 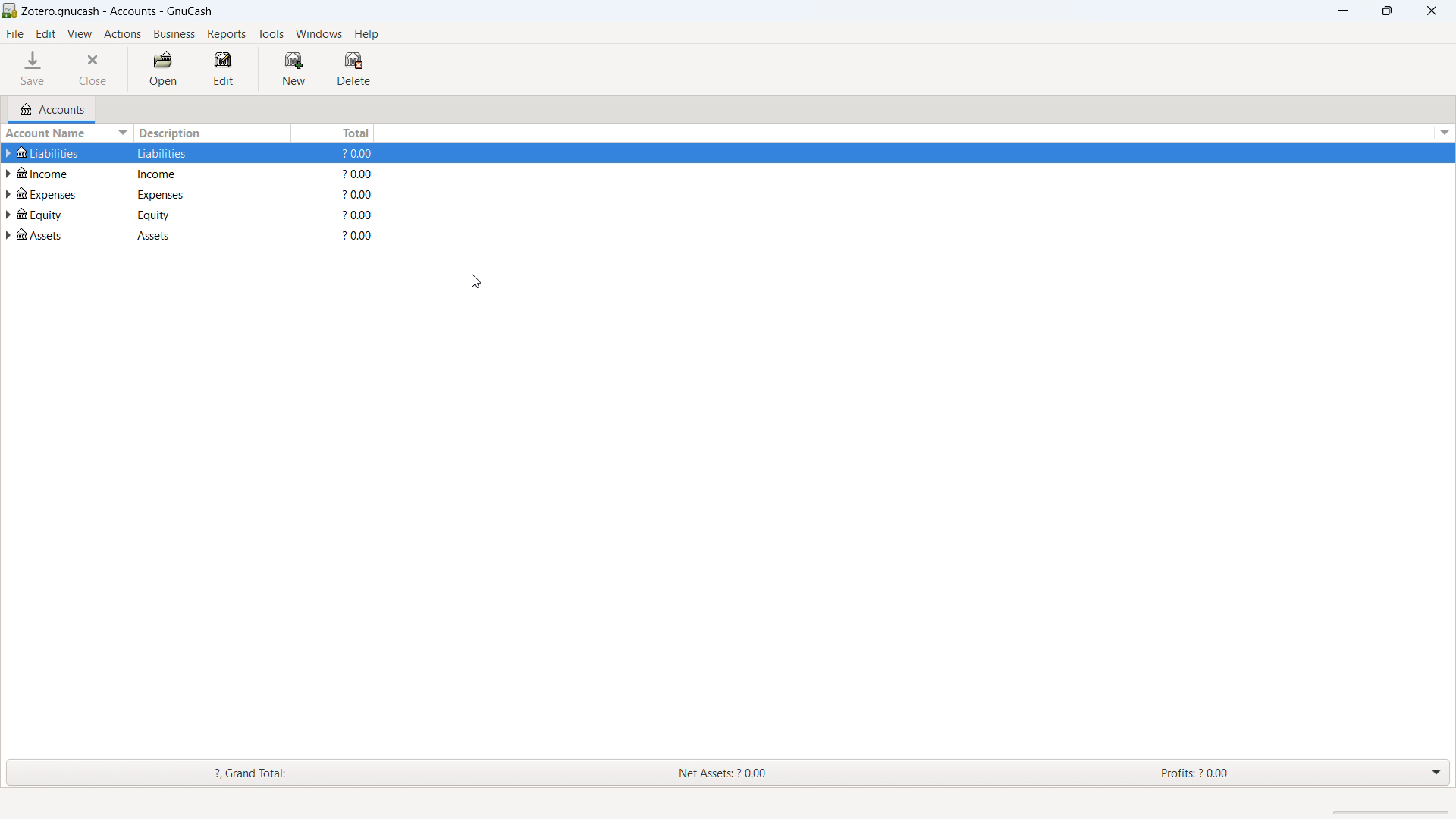 I want to click on actions, so click(x=123, y=35).